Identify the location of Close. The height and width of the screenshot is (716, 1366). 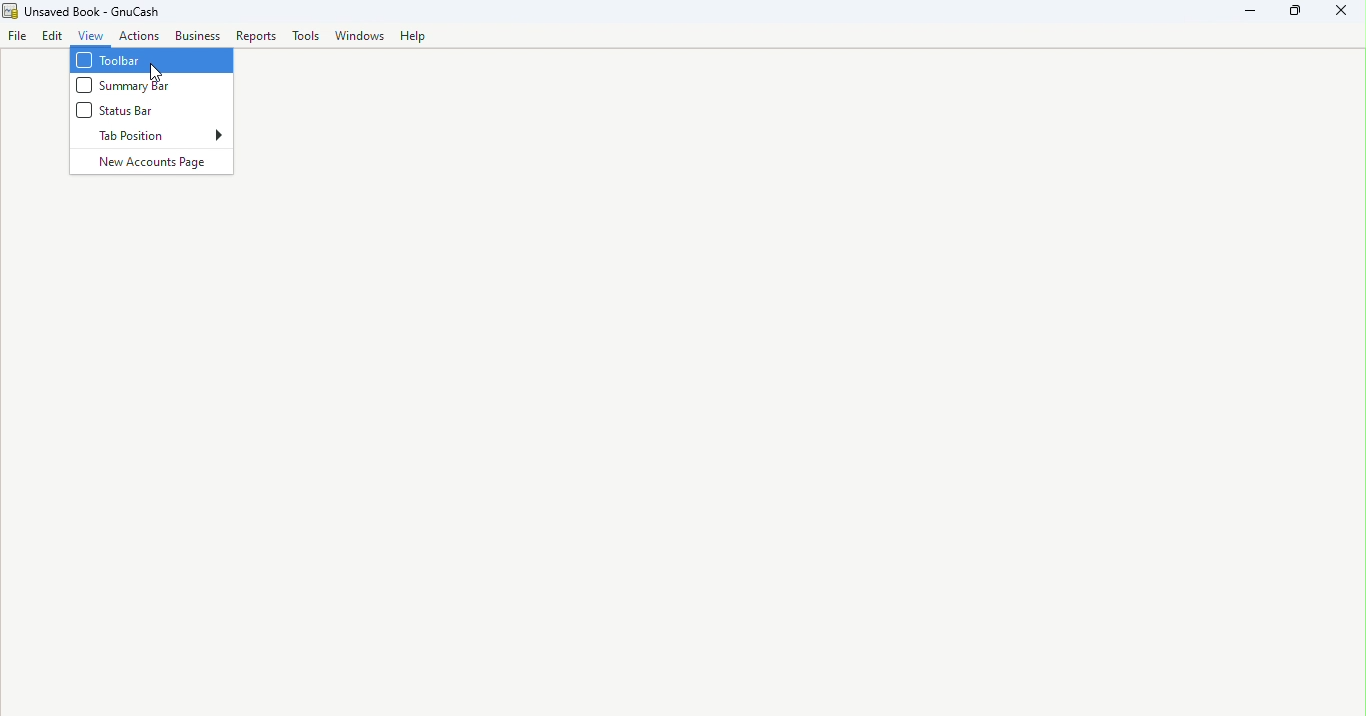
(1337, 13).